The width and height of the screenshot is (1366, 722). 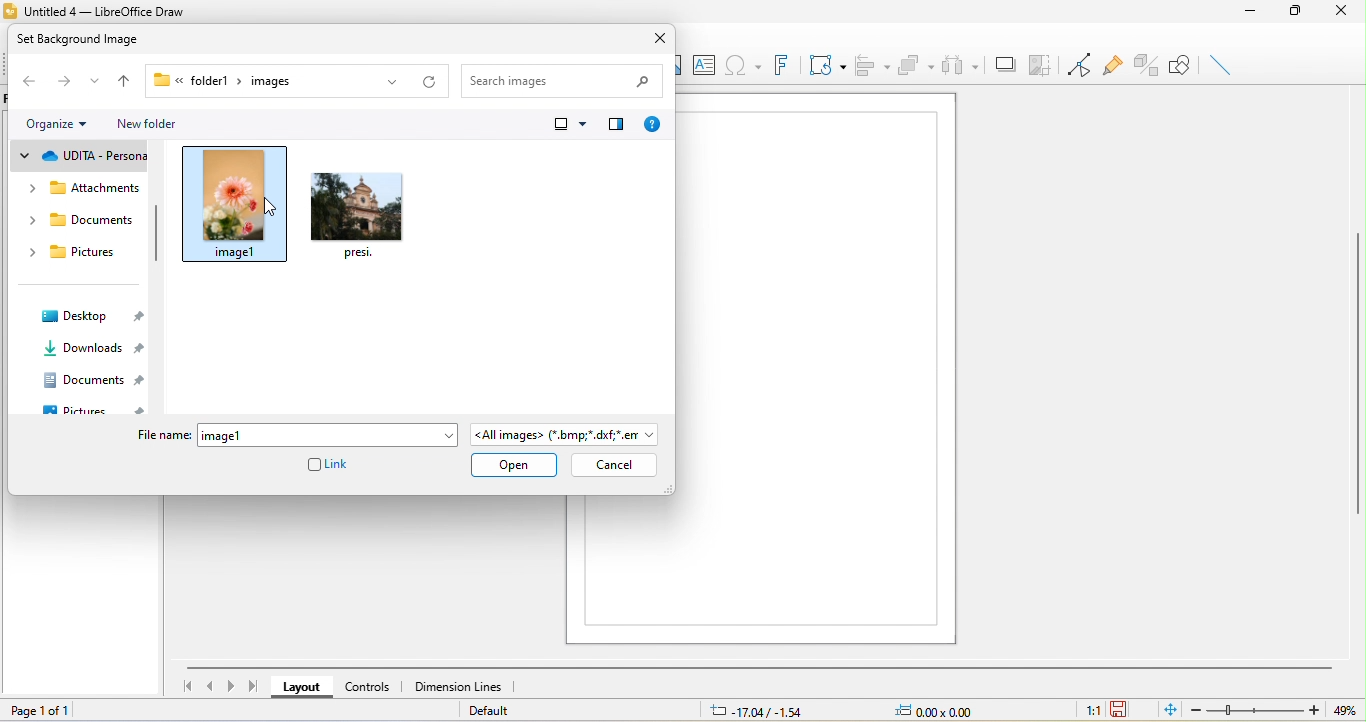 I want to click on layout, so click(x=302, y=688).